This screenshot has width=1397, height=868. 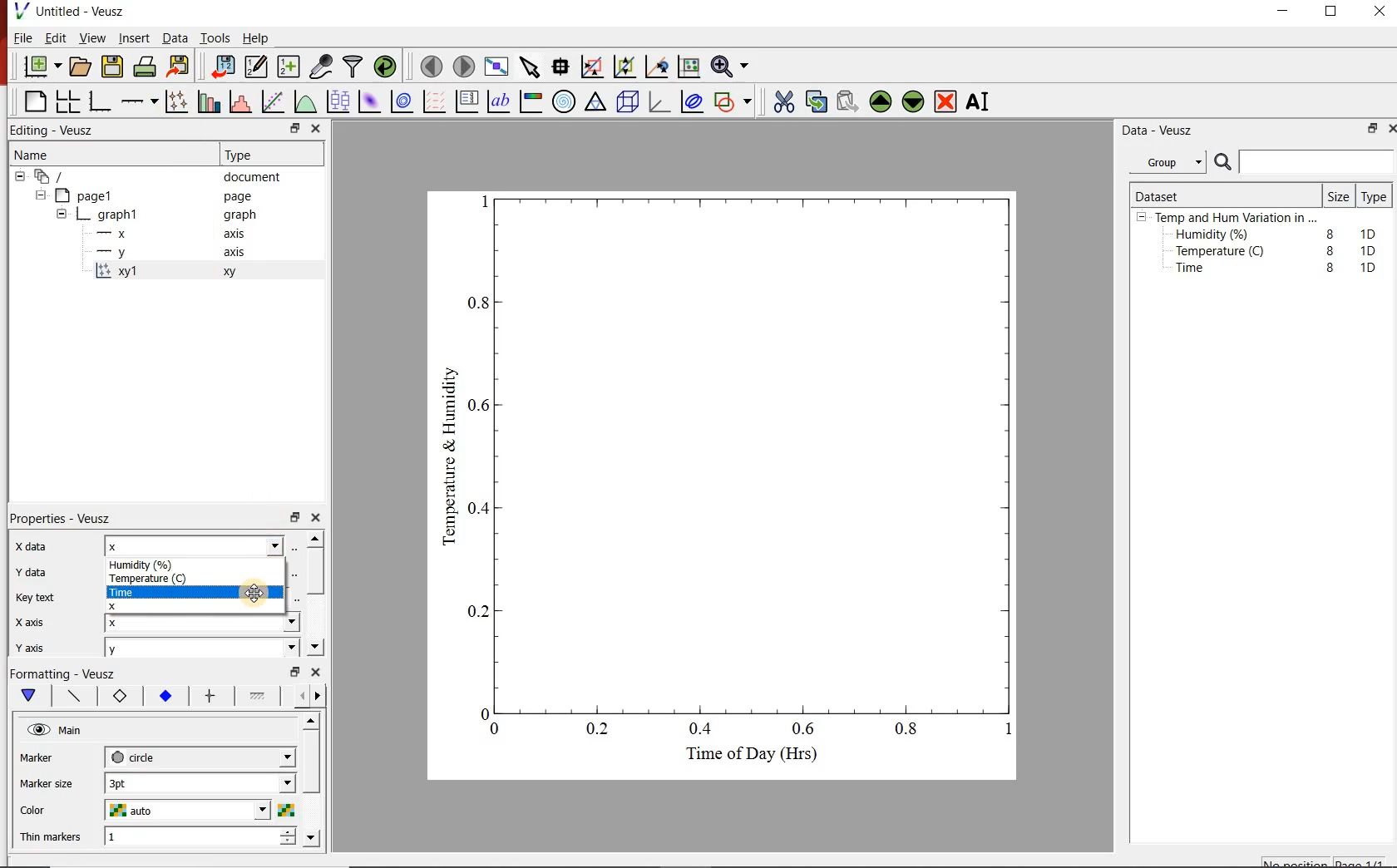 What do you see at coordinates (597, 104) in the screenshot?
I see `ternary graph` at bounding box center [597, 104].